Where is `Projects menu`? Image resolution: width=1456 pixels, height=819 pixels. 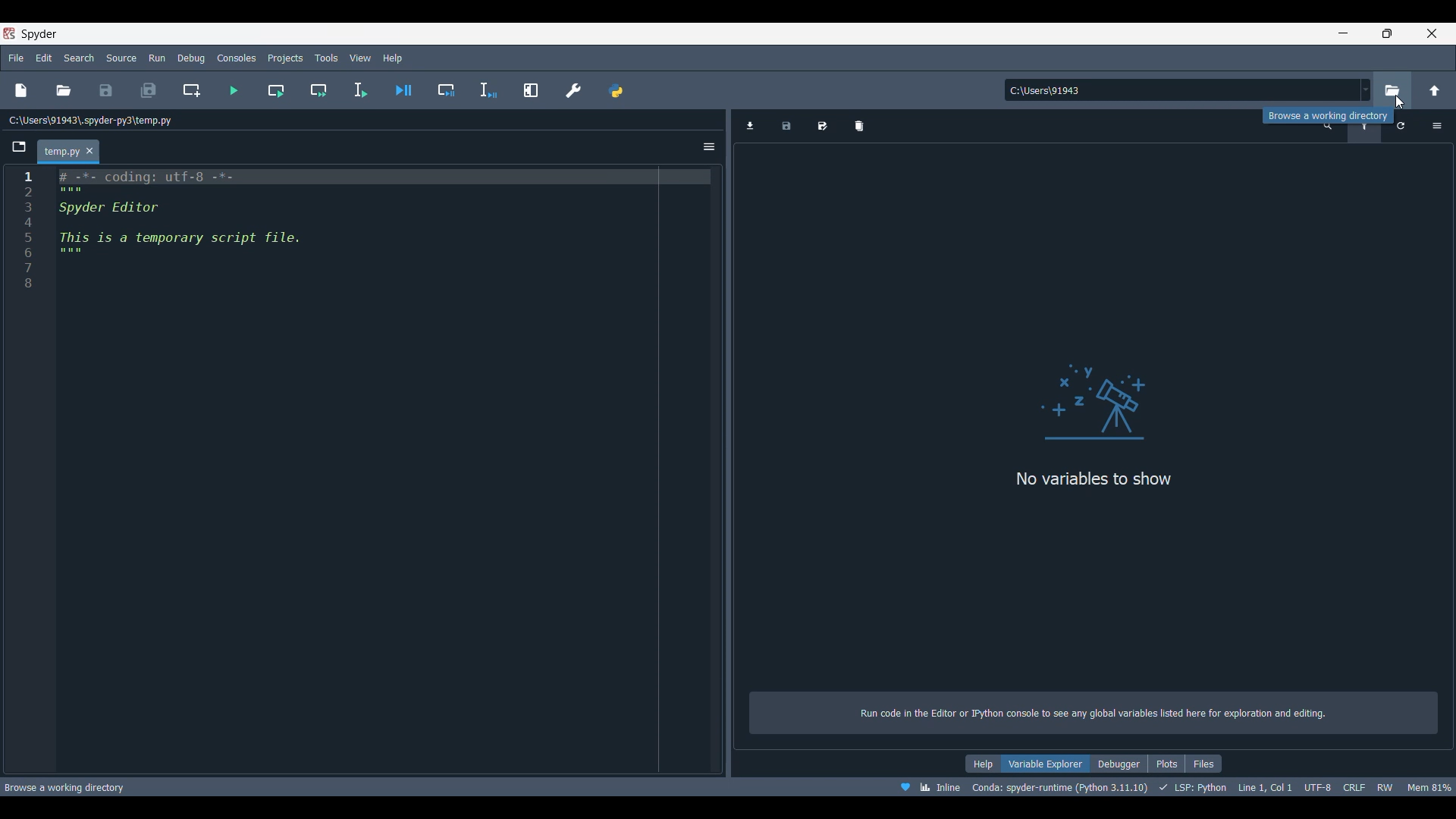
Projects menu is located at coordinates (286, 58).